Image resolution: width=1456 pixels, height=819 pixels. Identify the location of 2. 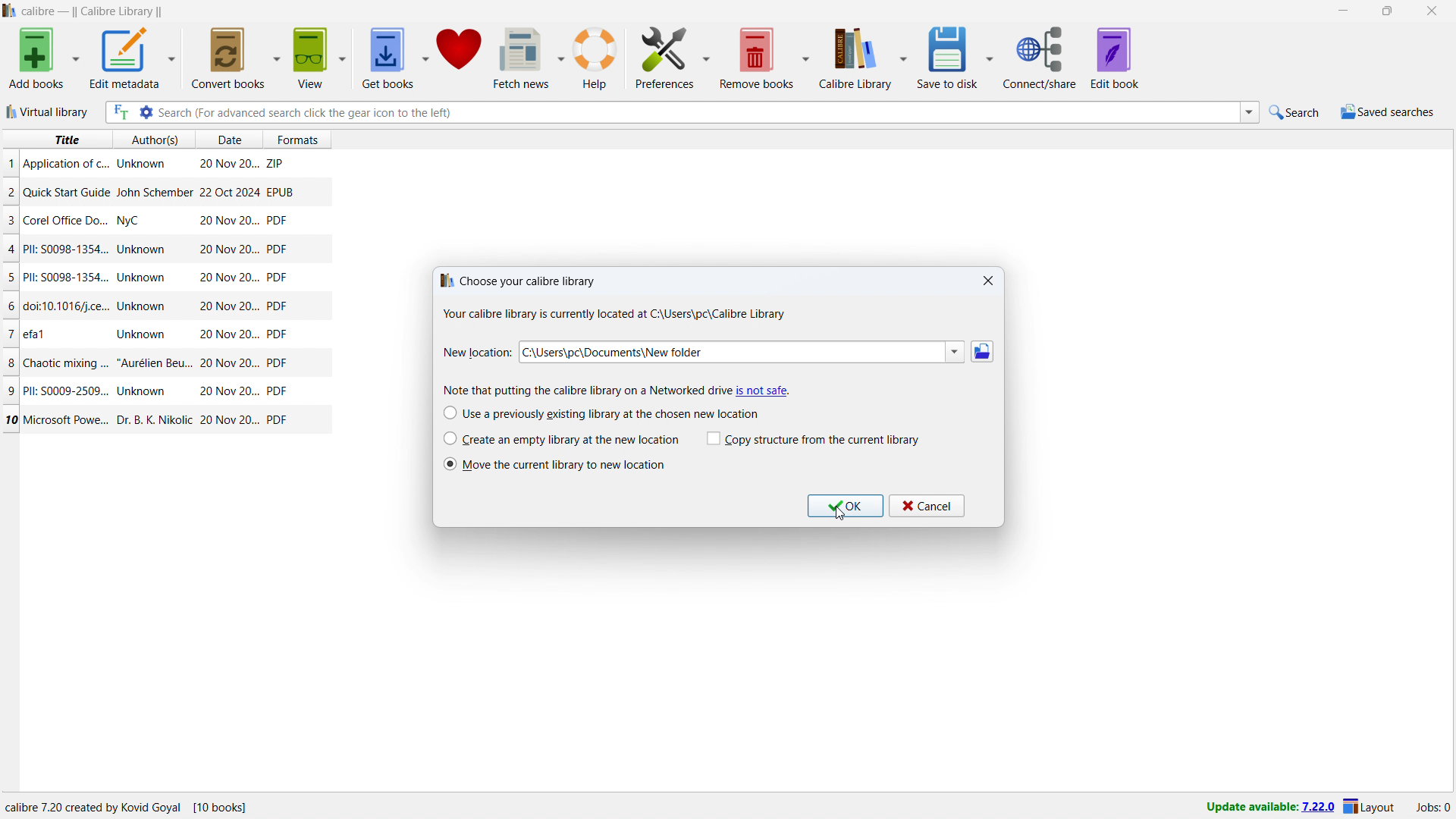
(11, 194).